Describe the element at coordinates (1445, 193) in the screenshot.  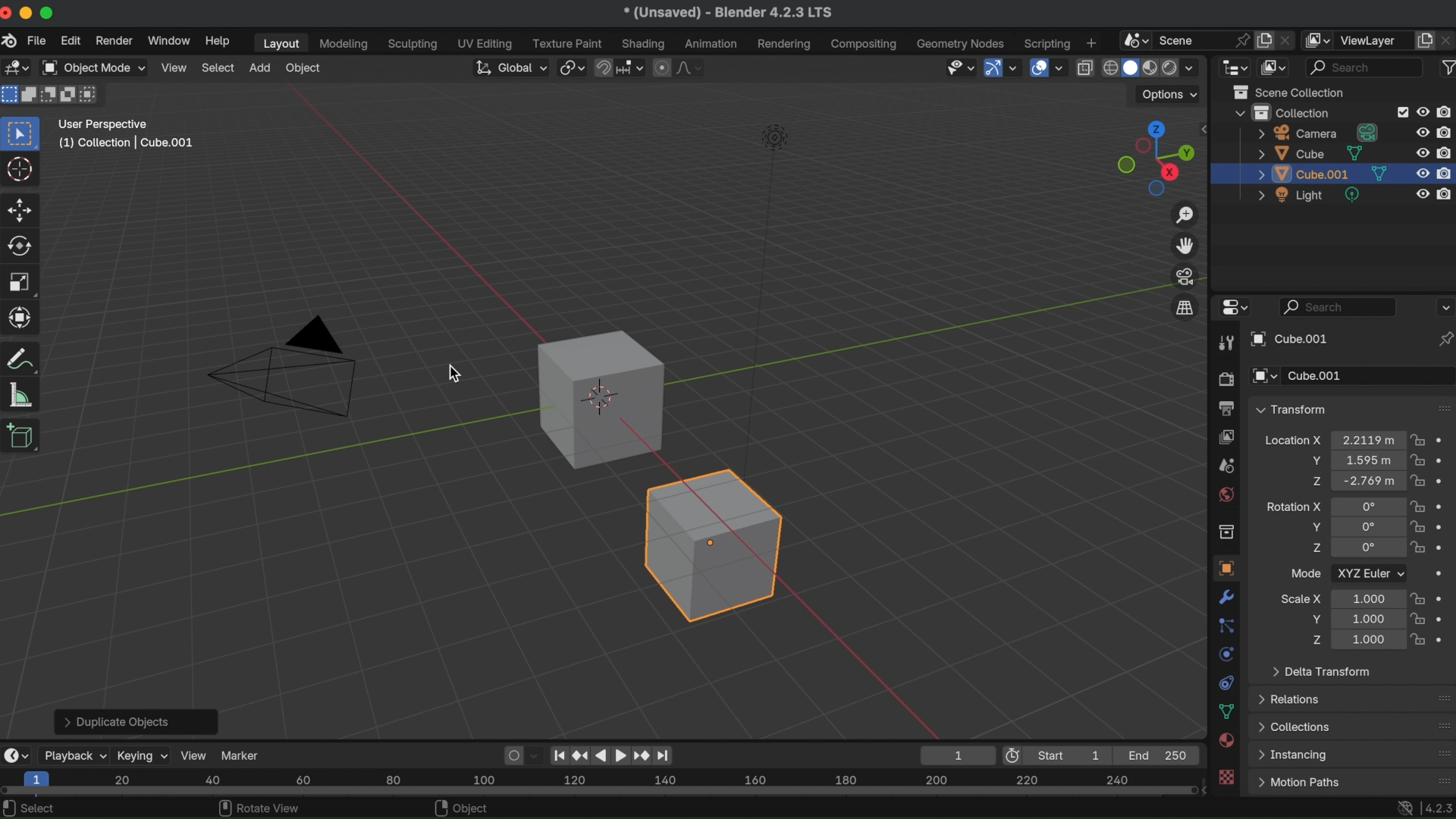
I see `disable in render` at that location.